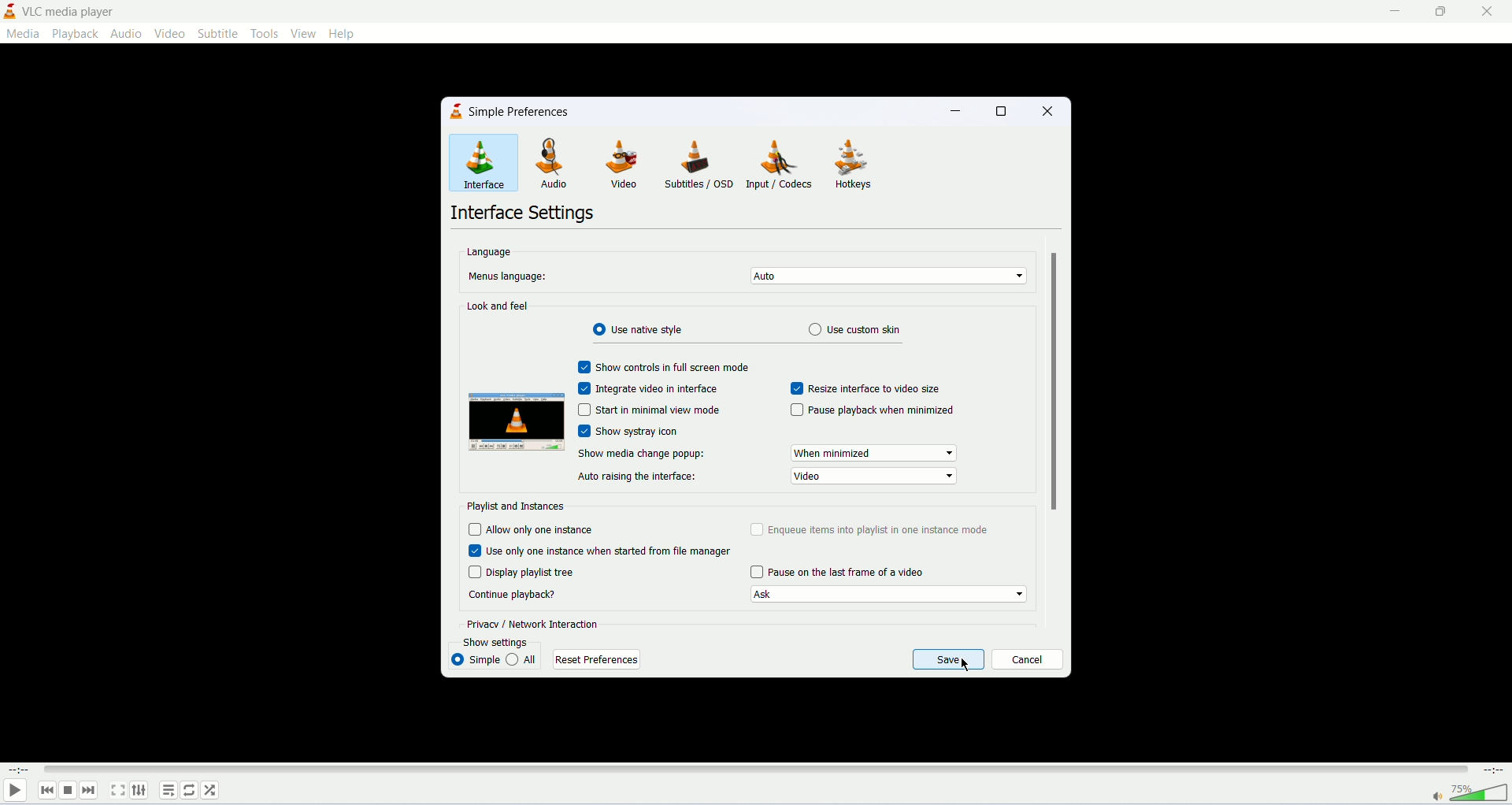  What do you see at coordinates (477, 165) in the screenshot?
I see `interface` at bounding box center [477, 165].